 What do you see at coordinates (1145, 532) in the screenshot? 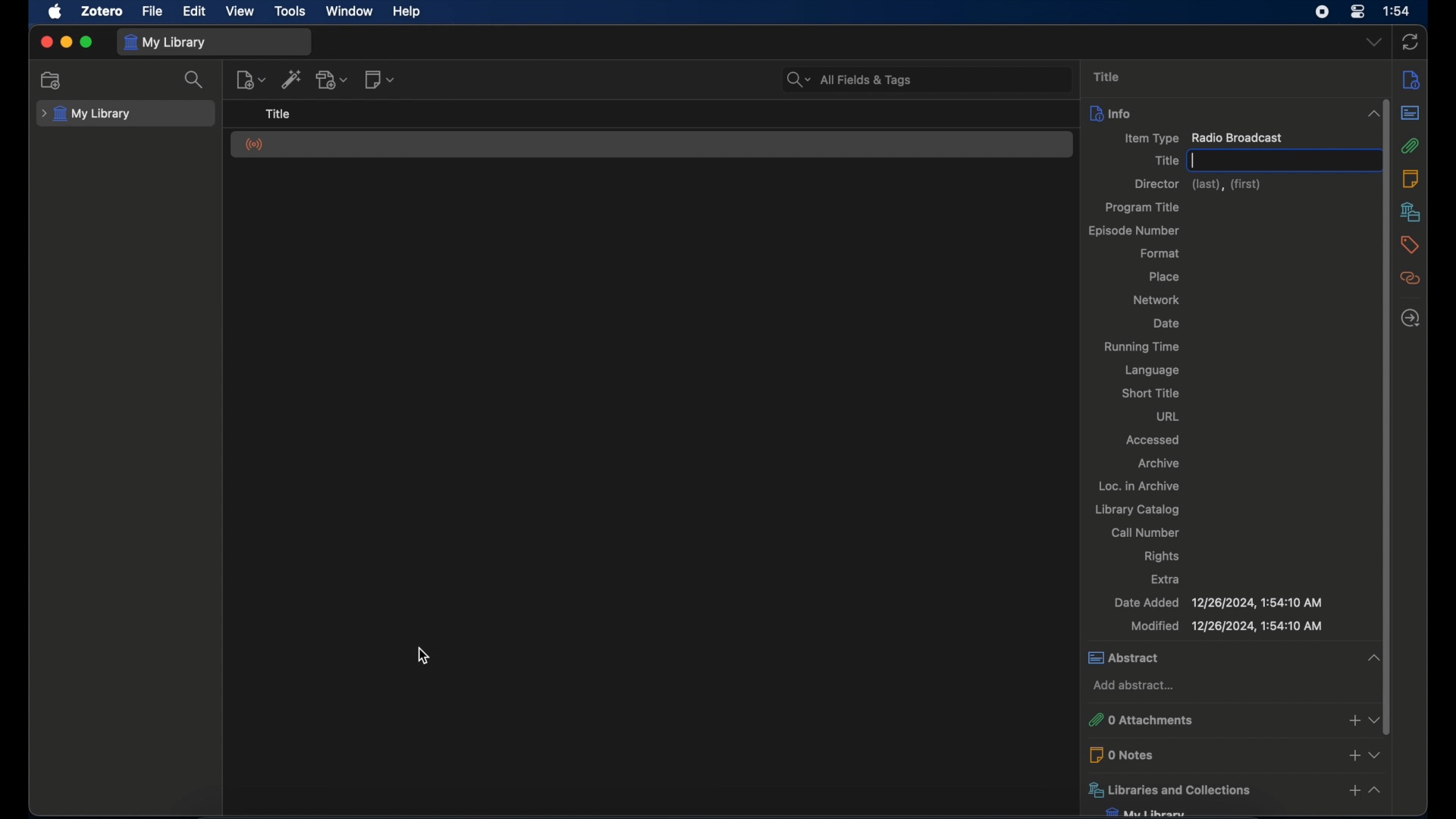
I see `call number` at bounding box center [1145, 532].